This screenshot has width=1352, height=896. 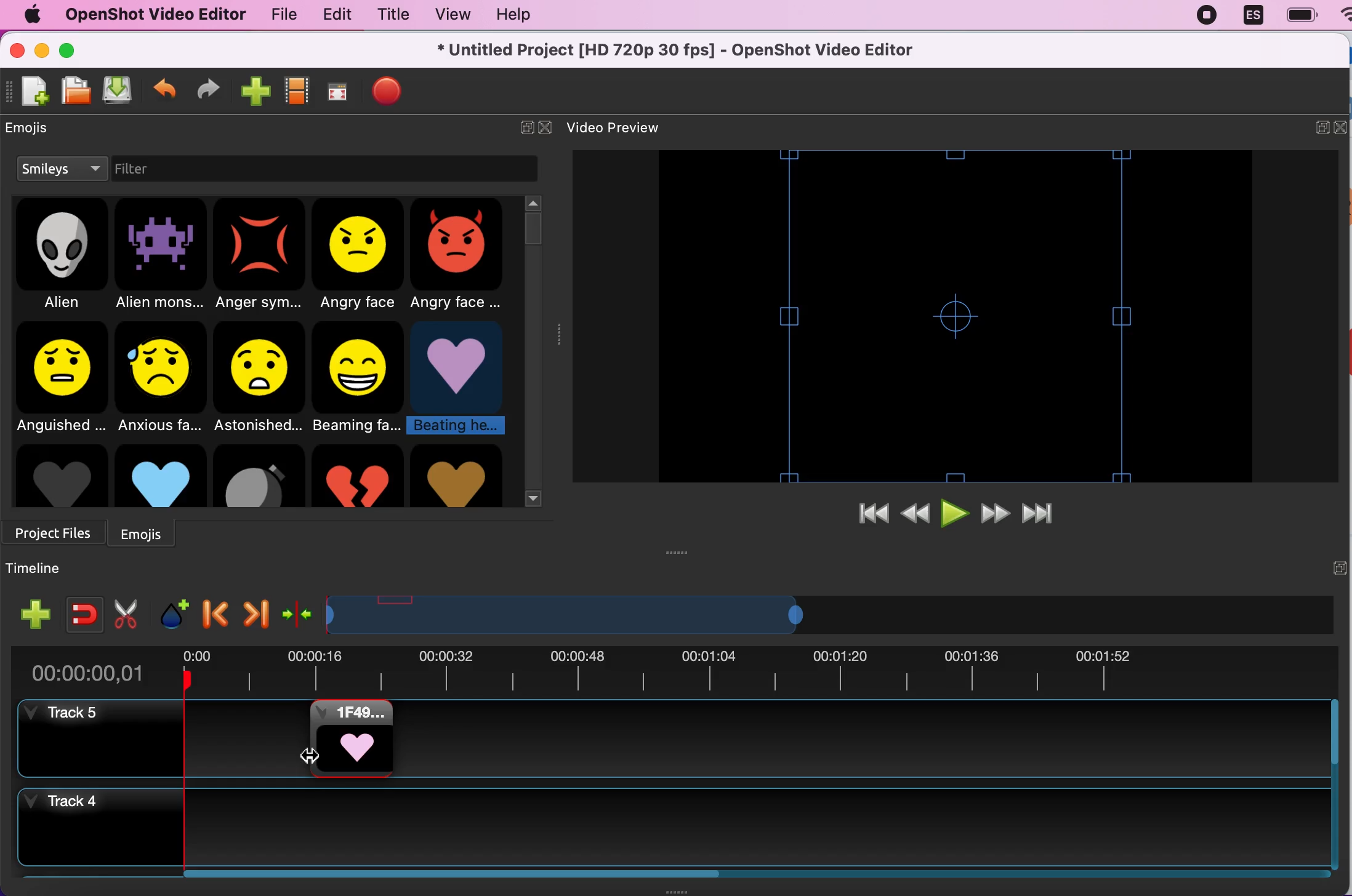 I want to click on undo, so click(x=165, y=86).